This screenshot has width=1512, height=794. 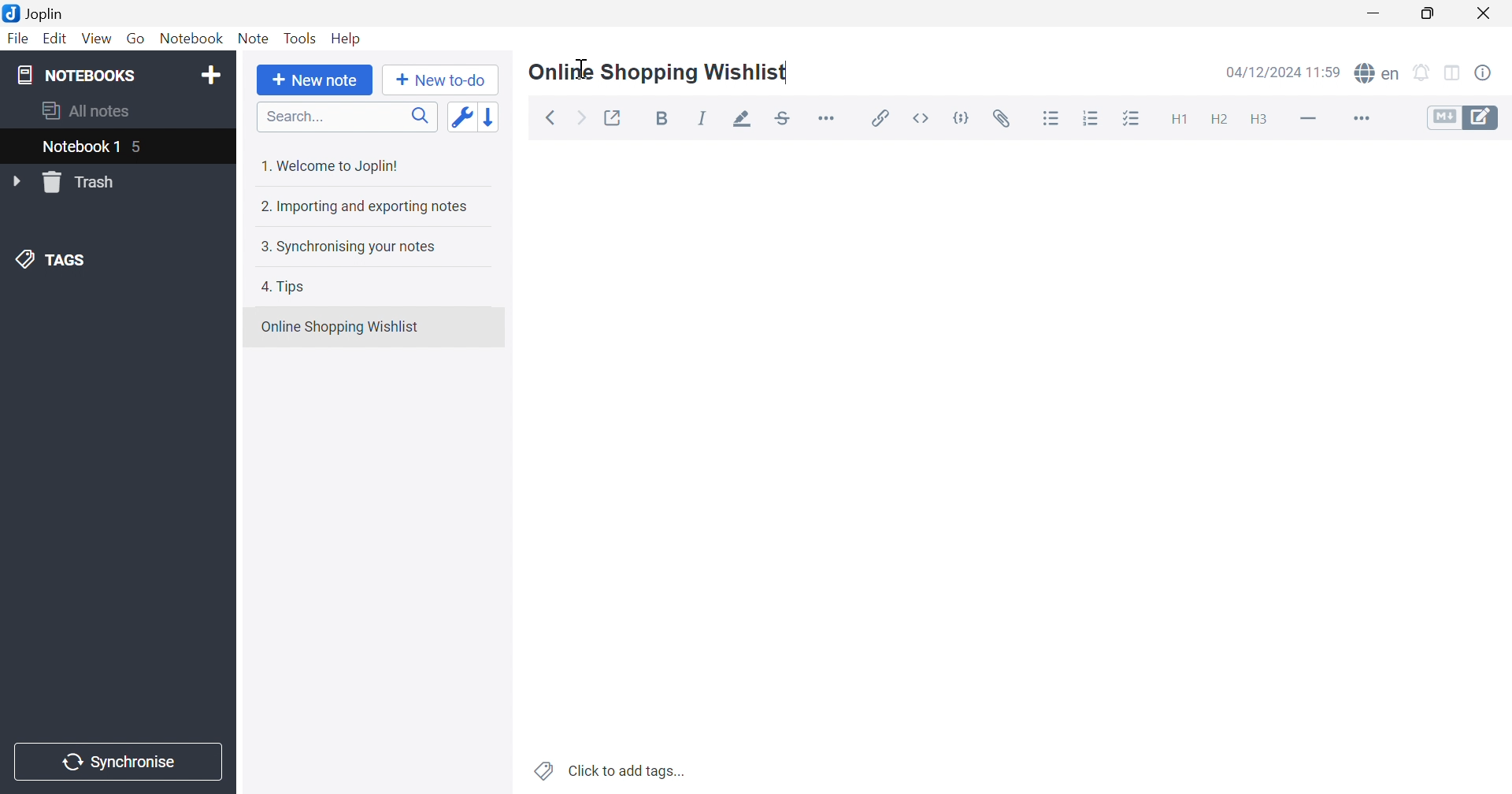 What do you see at coordinates (881, 117) in the screenshot?
I see `Insert / edit link` at bounding box center [881, 117].